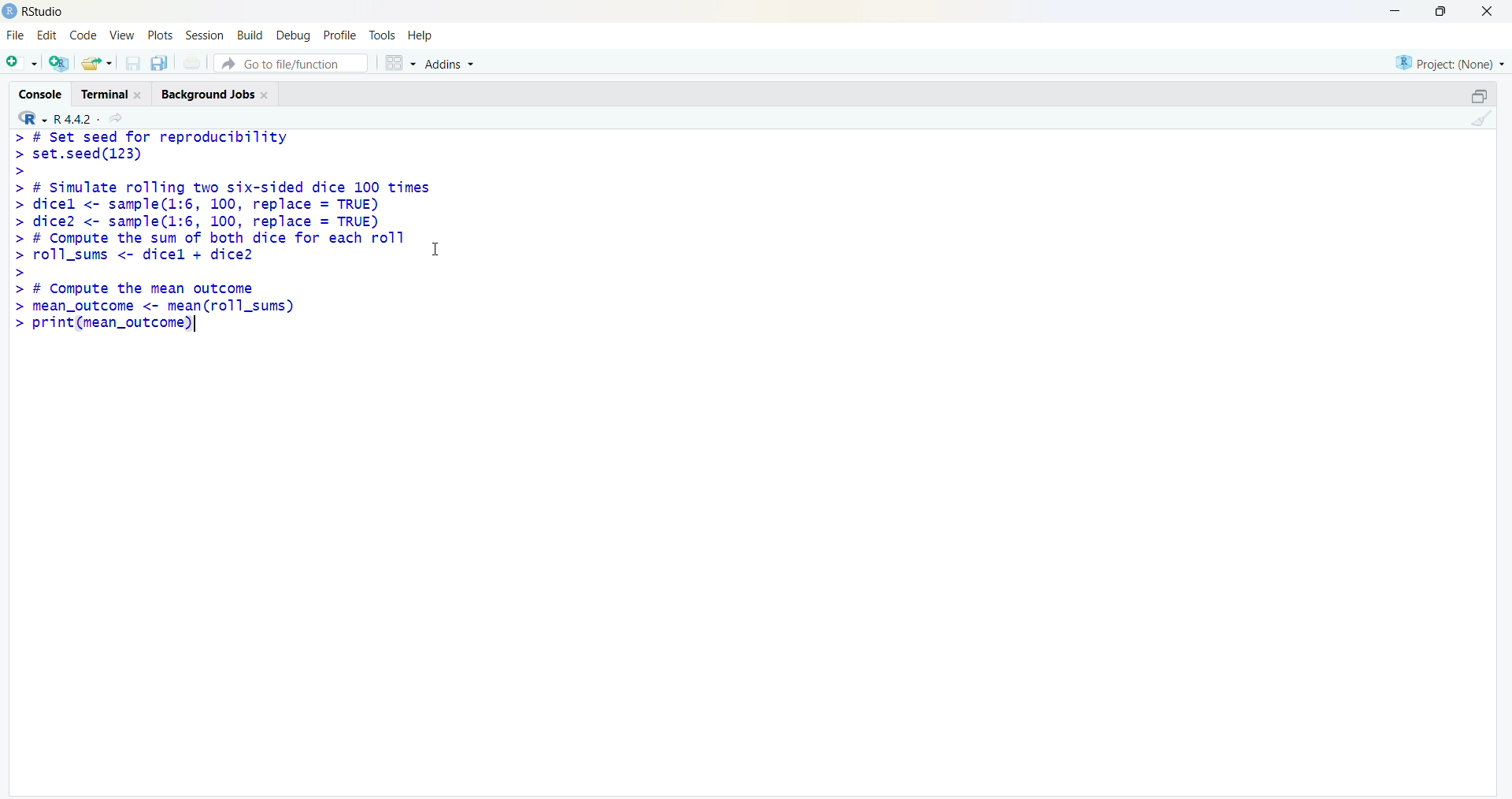 The width and height of the screenshot is (1512, 799). I want to click on share folder as, so click(96, 63).